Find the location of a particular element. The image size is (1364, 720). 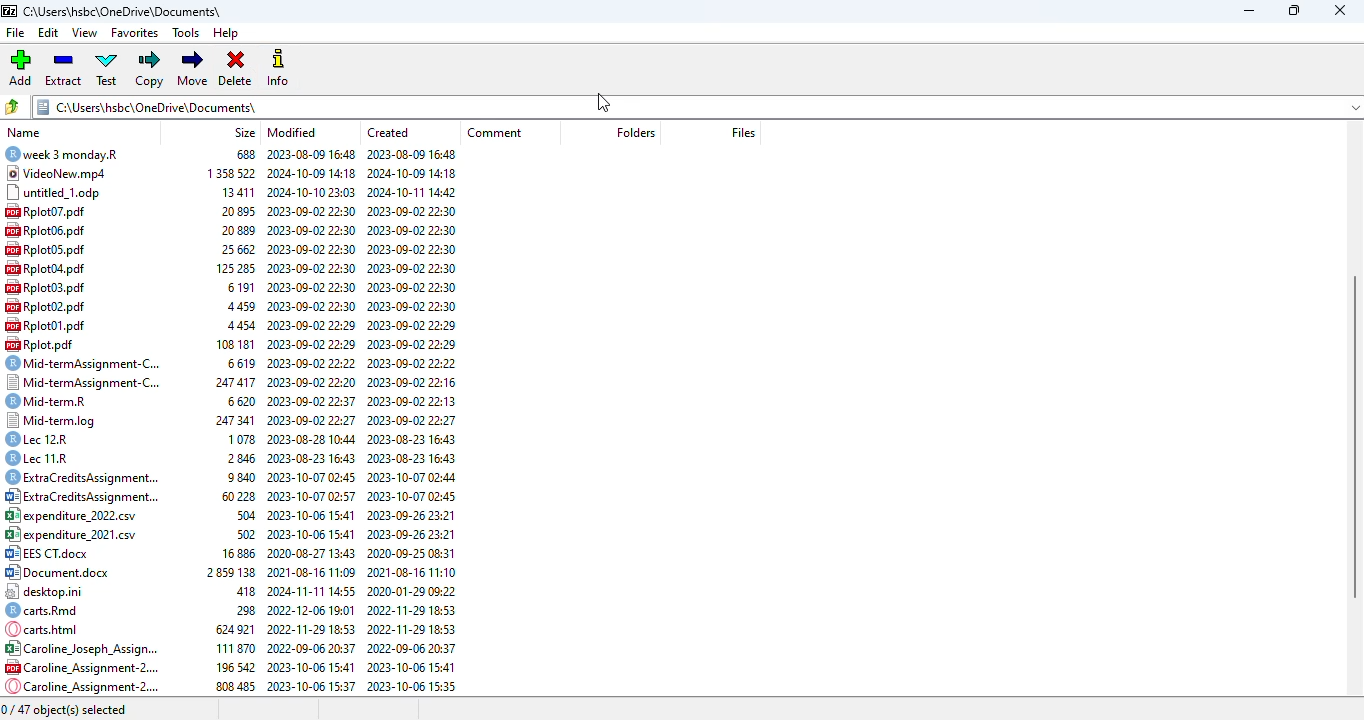

2023-09-02 22:13 is located at coordinates (411, 401).